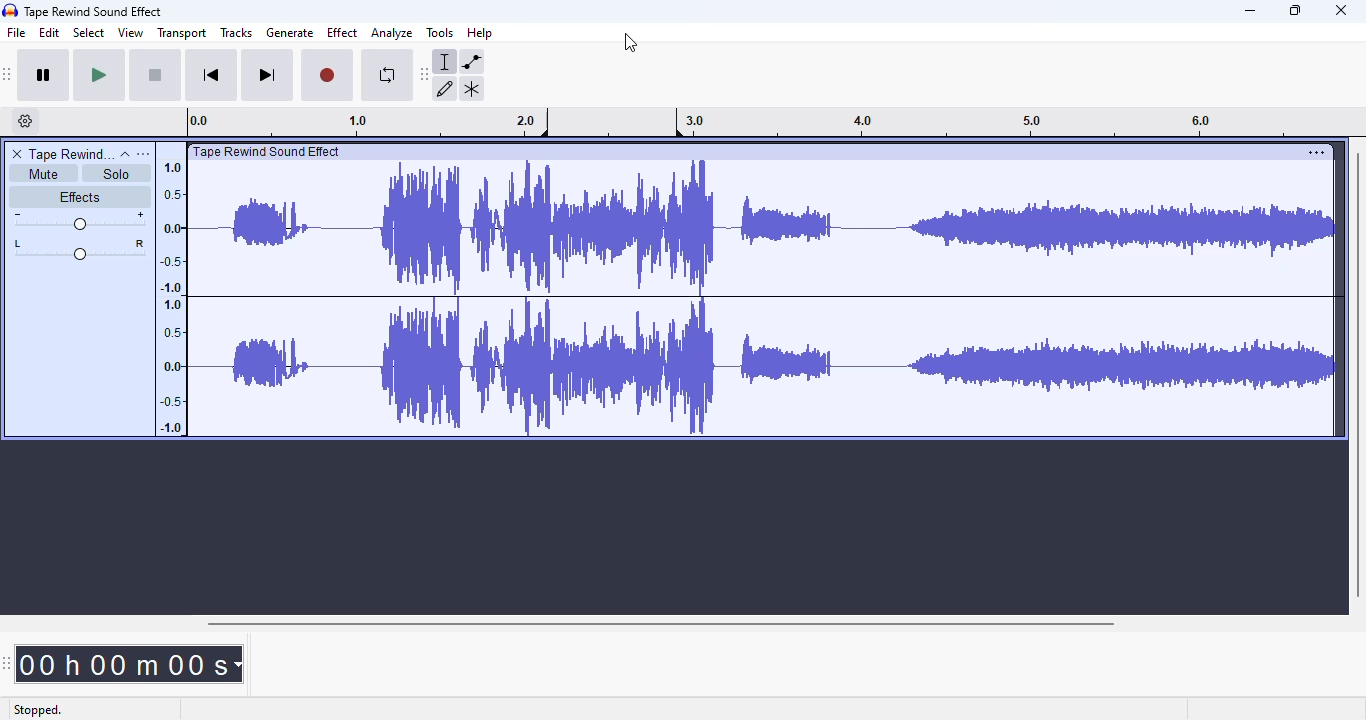 The width and height of the screenshot is (1366, 720). Describe the element at coordinates (1022, 120) in the screenshot. I see `3.0 4.0 5.0 6.0` at that location.